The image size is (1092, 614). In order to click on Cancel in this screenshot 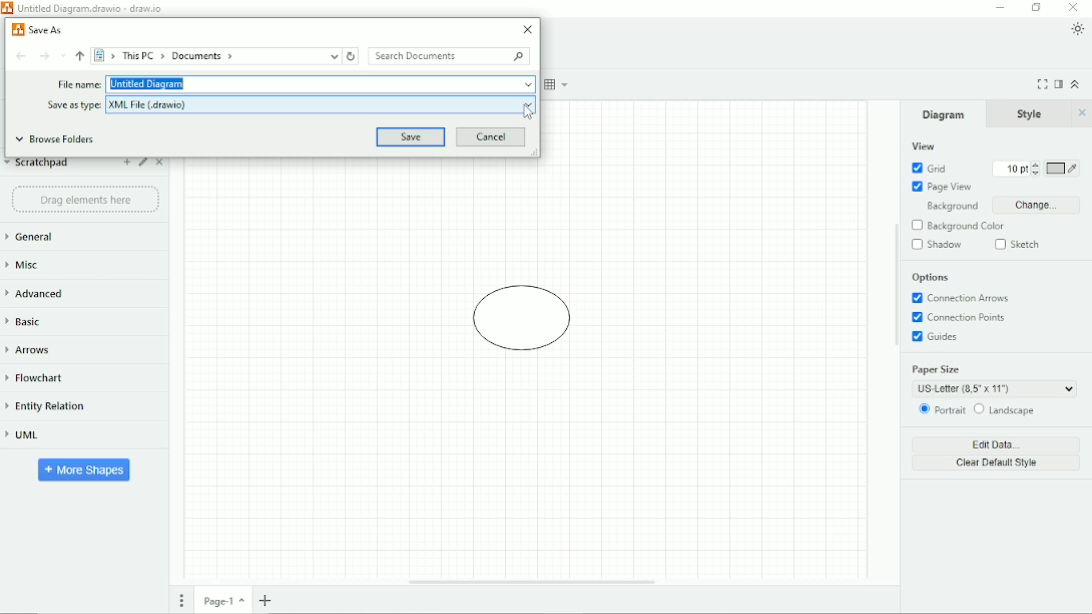, I will do `click(494, 138)`.